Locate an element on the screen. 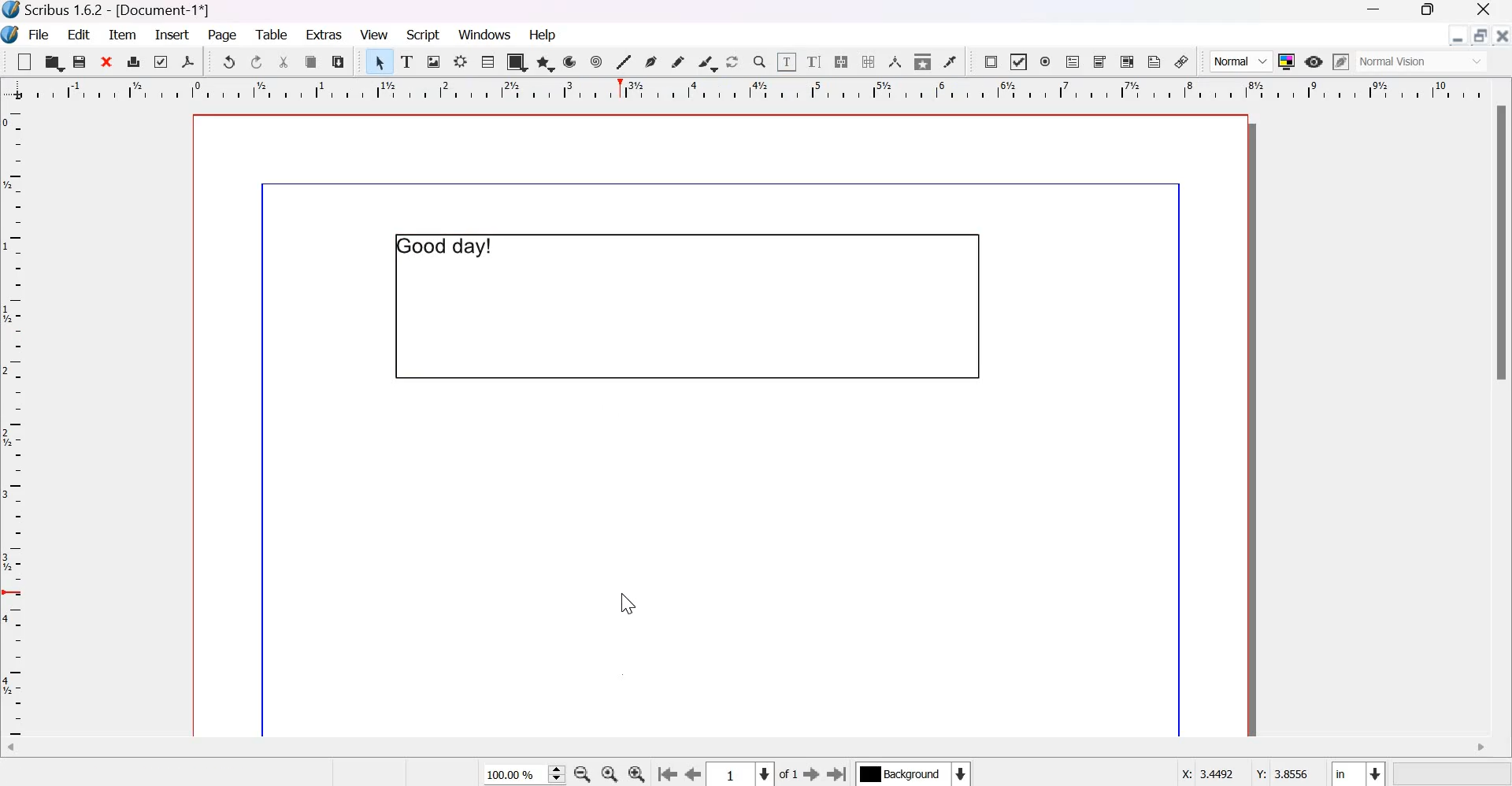 The width and height of the screenshot is (1512, 786).  is located at coordinates (271, 35).